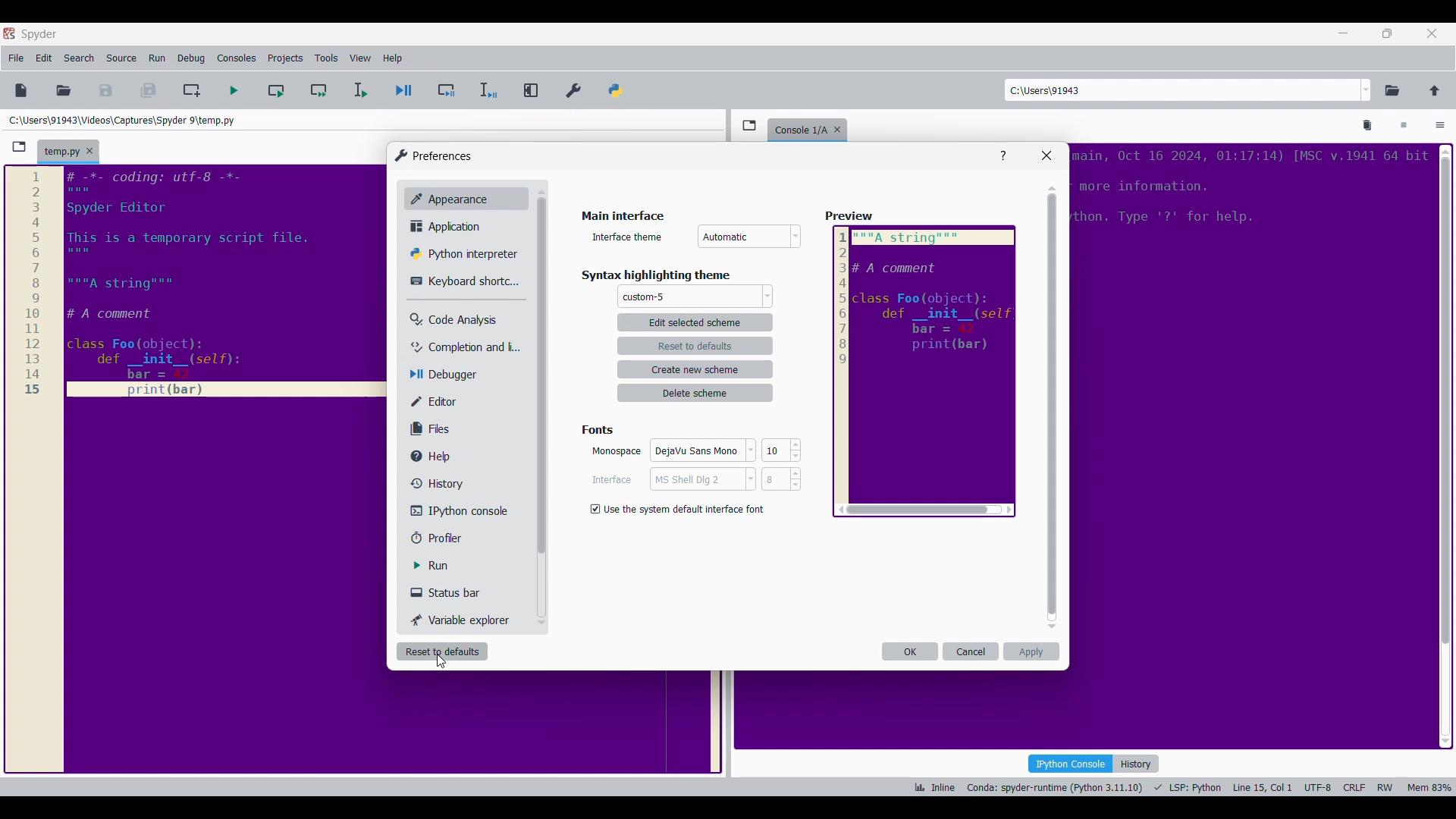  Describe the element at coordinates (616, 451) in the screenshot. I see `Indicates monospace settings` at that location.